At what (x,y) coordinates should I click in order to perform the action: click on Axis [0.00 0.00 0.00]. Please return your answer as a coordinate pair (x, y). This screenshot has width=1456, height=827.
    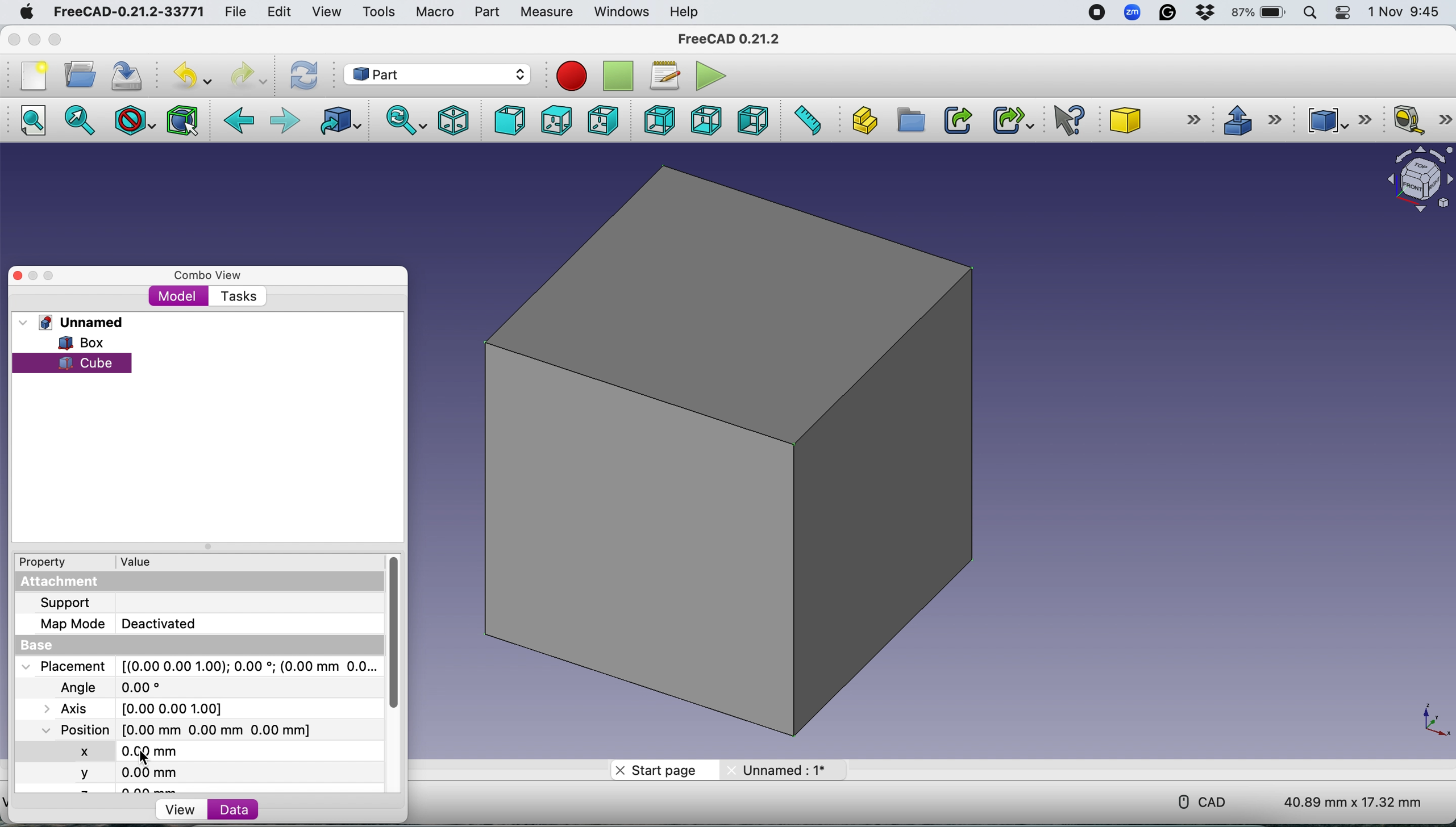
    Looking at the image, I should click on (143, 708).